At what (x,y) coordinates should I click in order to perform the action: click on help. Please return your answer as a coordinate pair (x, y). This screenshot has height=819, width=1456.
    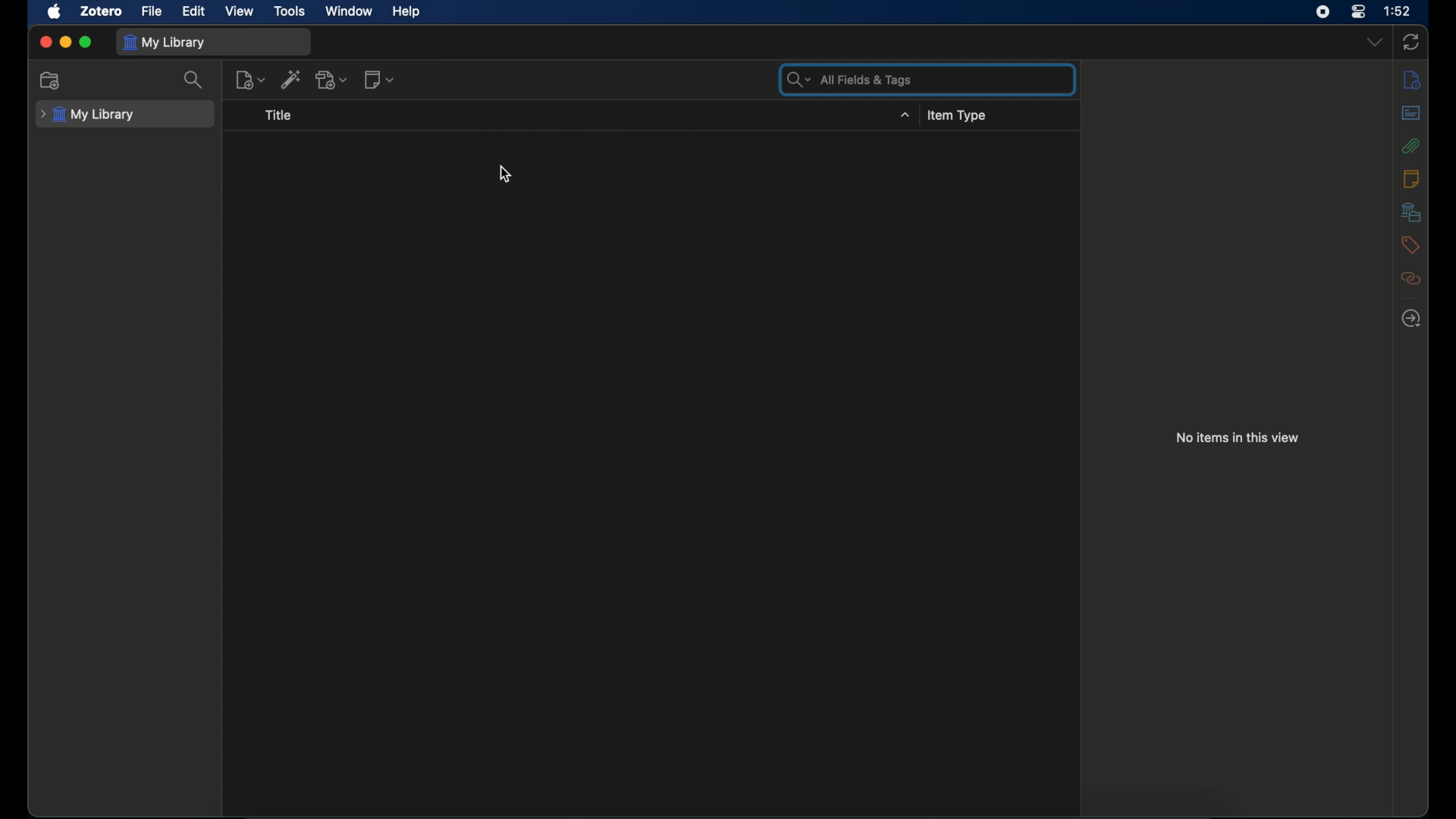
    Looking at the image, I should click on (408, 12).